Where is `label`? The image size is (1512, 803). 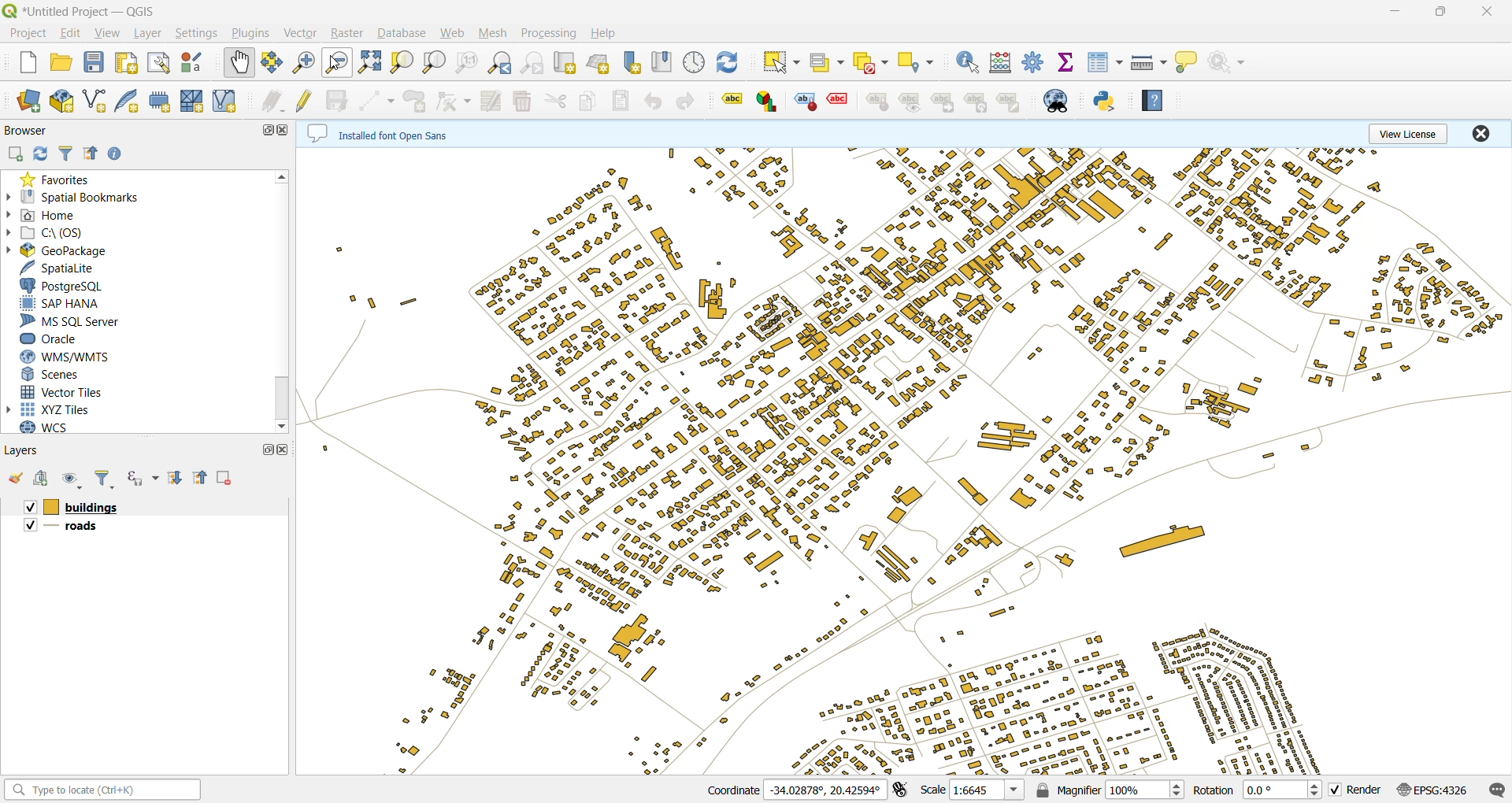 label is located at coordinates (943, 103).